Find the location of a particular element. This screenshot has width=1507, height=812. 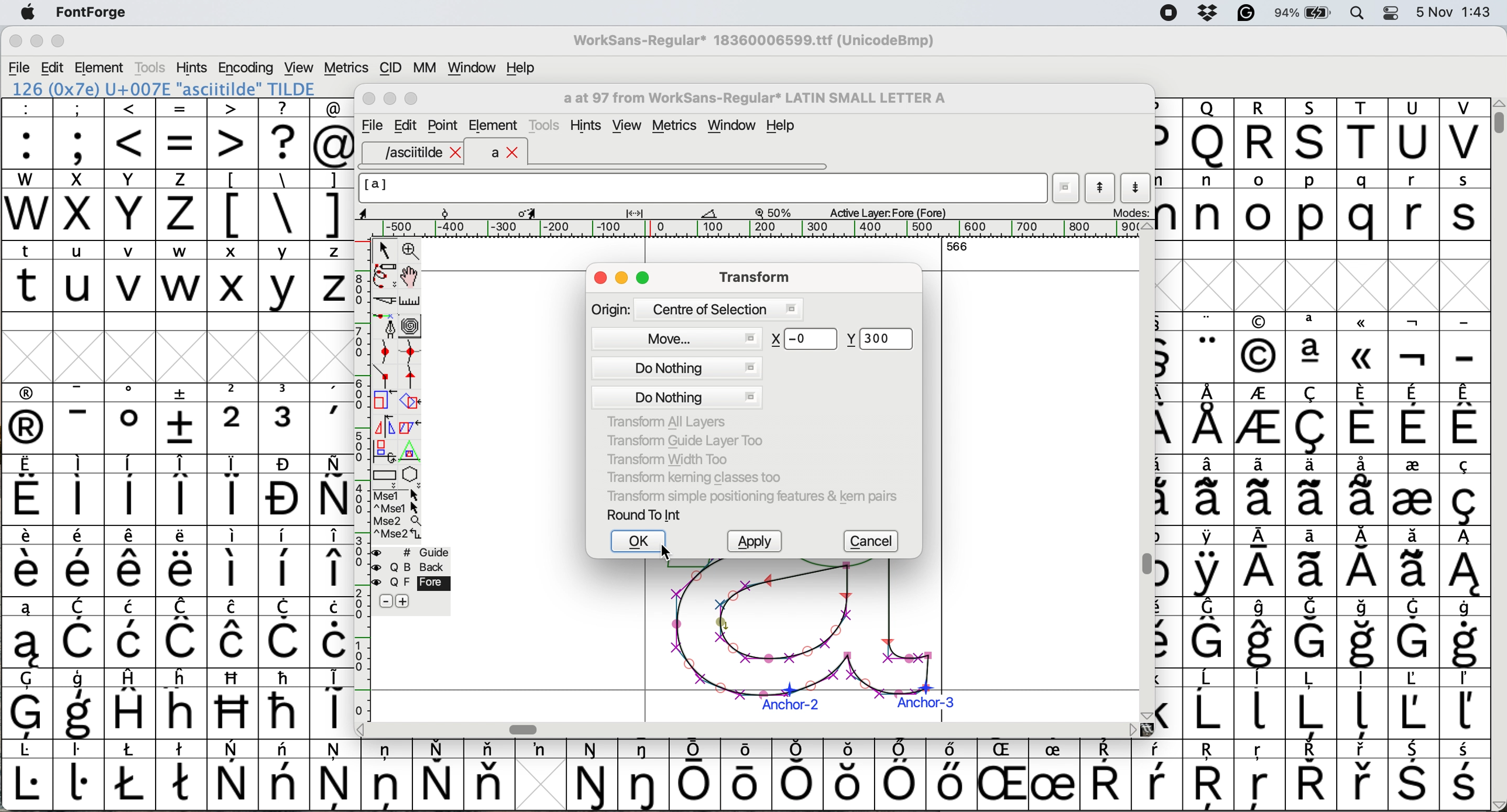

n is located at coordinates (1208, 204).